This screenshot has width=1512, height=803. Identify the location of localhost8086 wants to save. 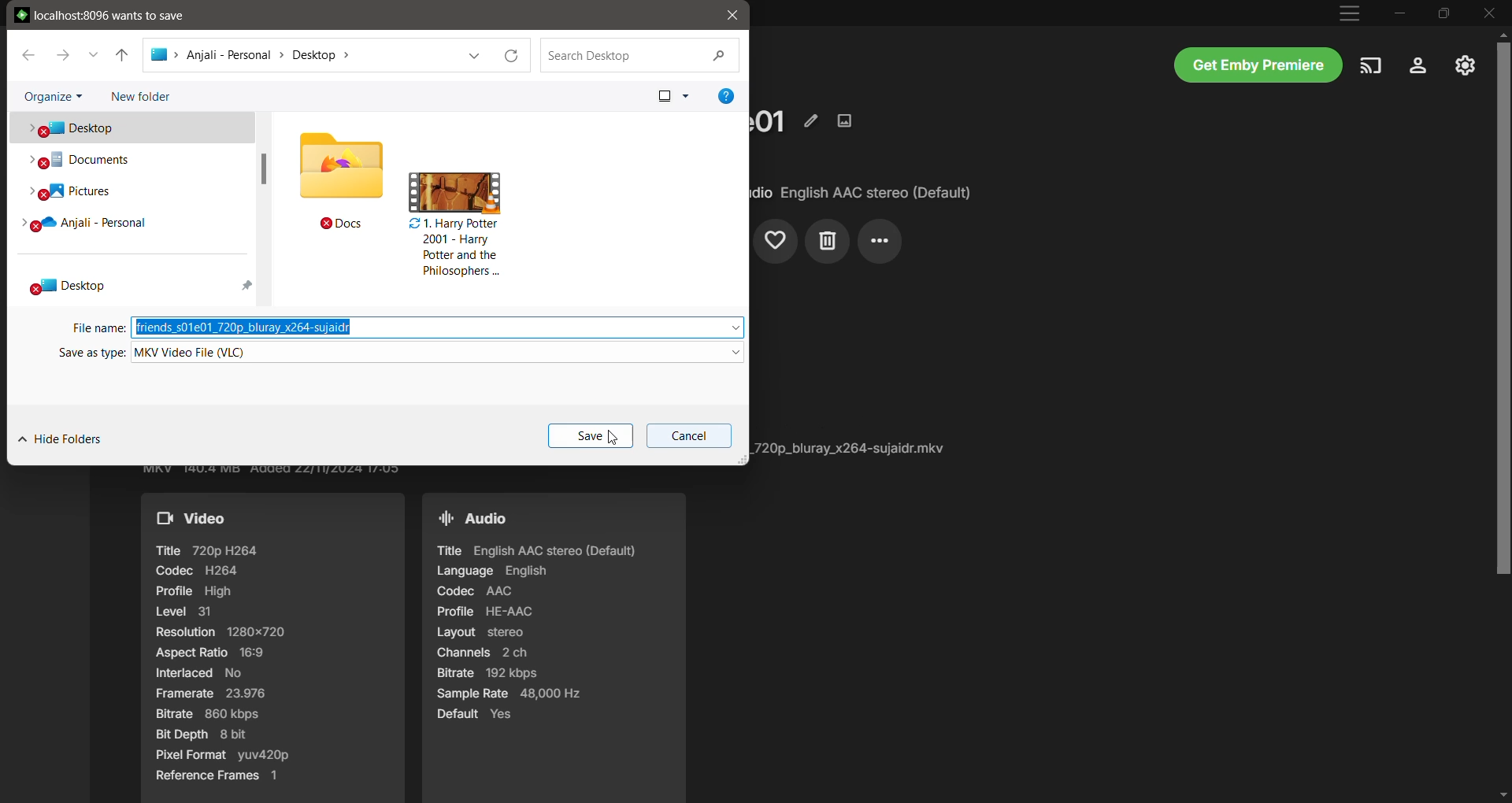
(110, 14).